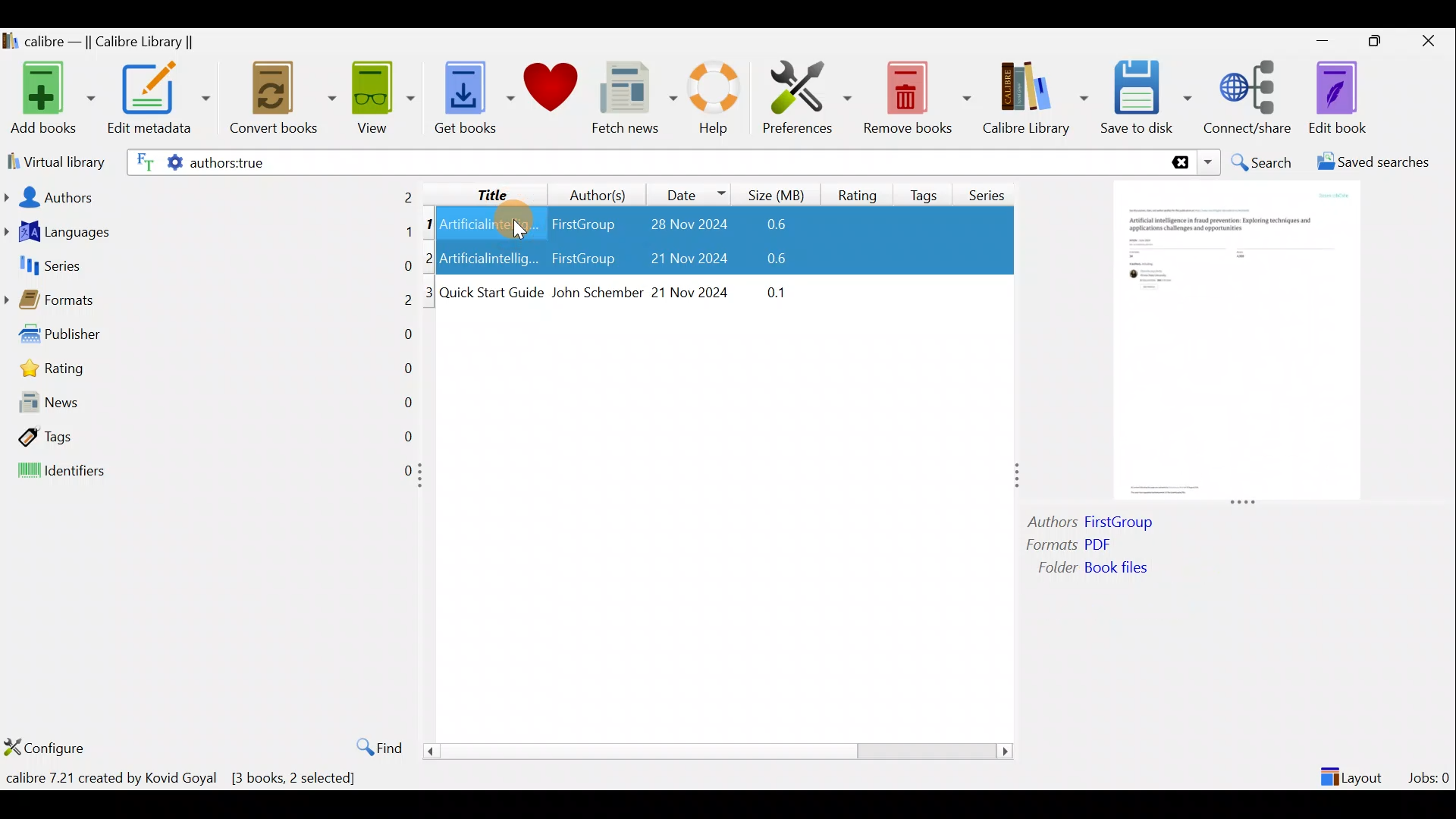  Describe the element at coordinates (211, 337) in the screenshot. I see `Publisher` at that location.